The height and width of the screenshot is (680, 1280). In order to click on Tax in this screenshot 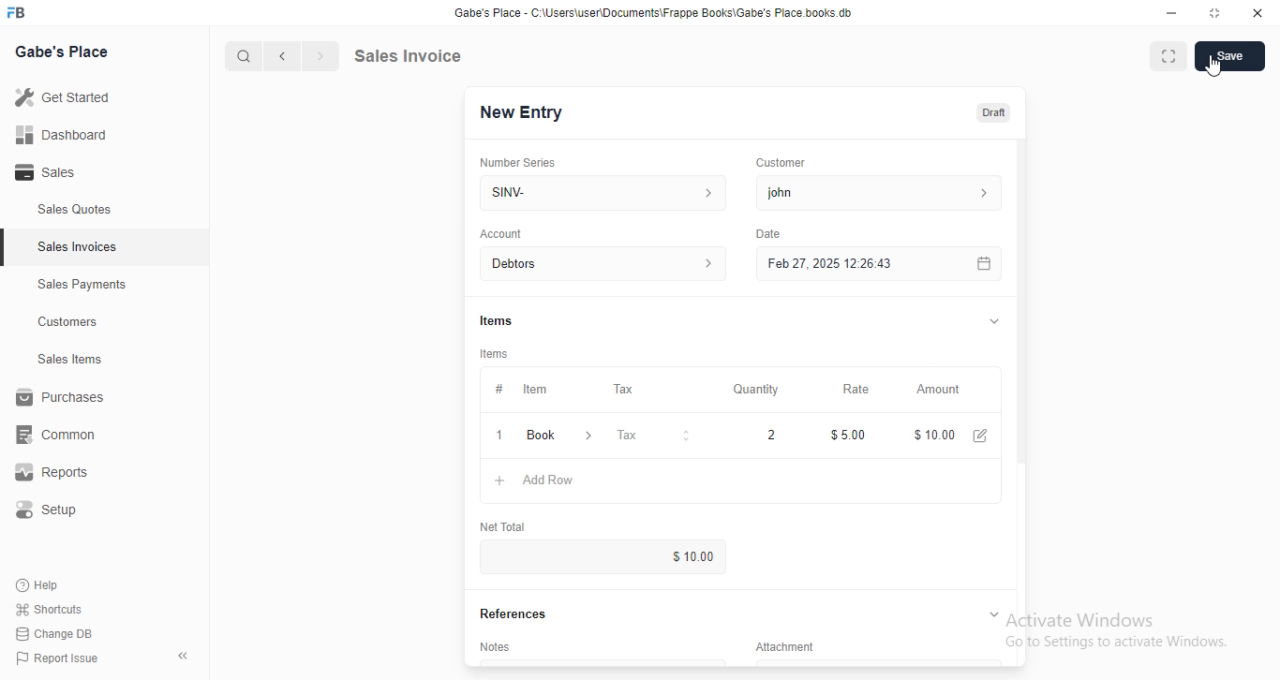, I will do `click(656, 436)`.